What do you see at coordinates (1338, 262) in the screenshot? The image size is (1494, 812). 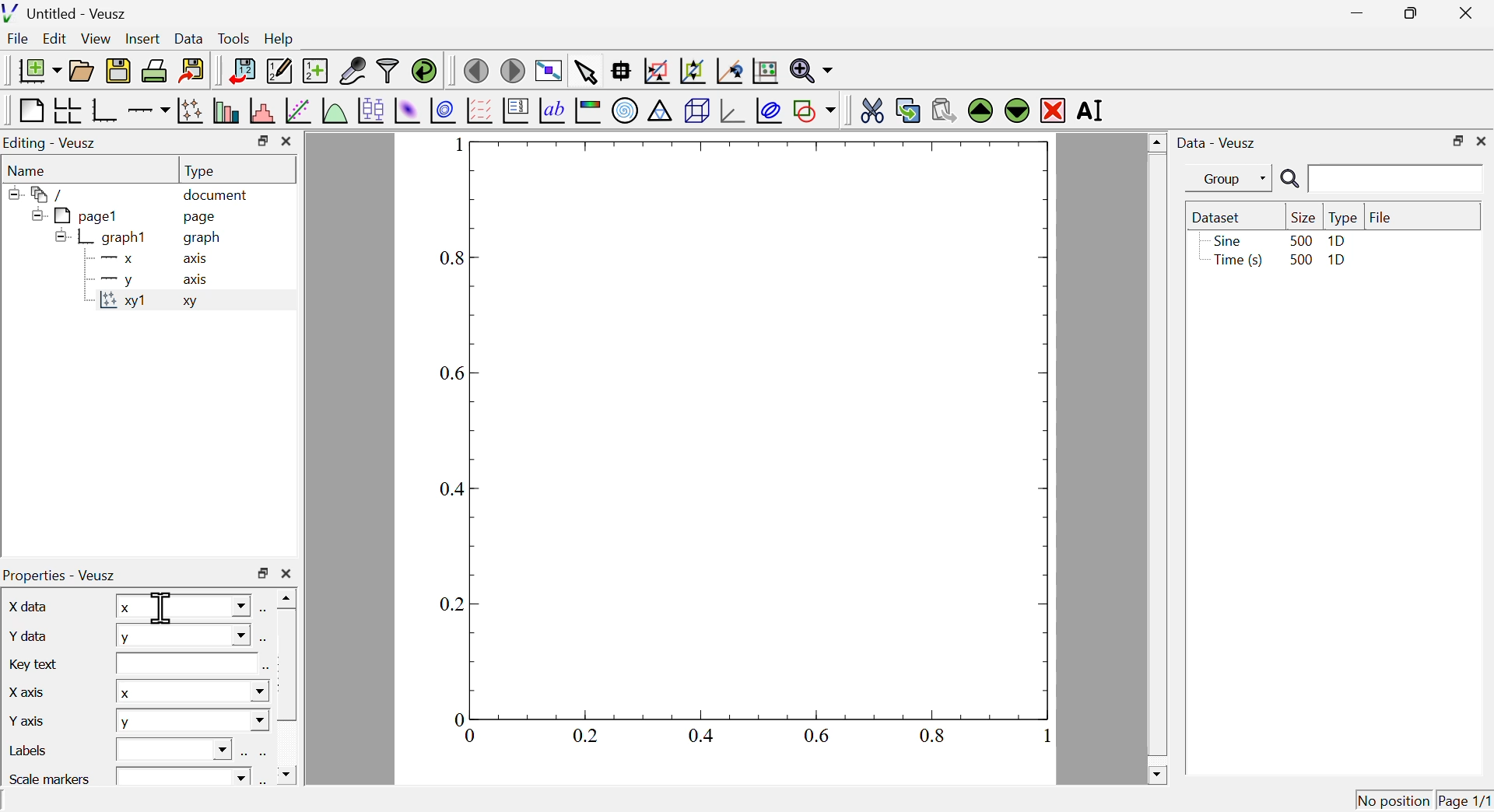 I see `1D` at bounding box center [1338, 262].